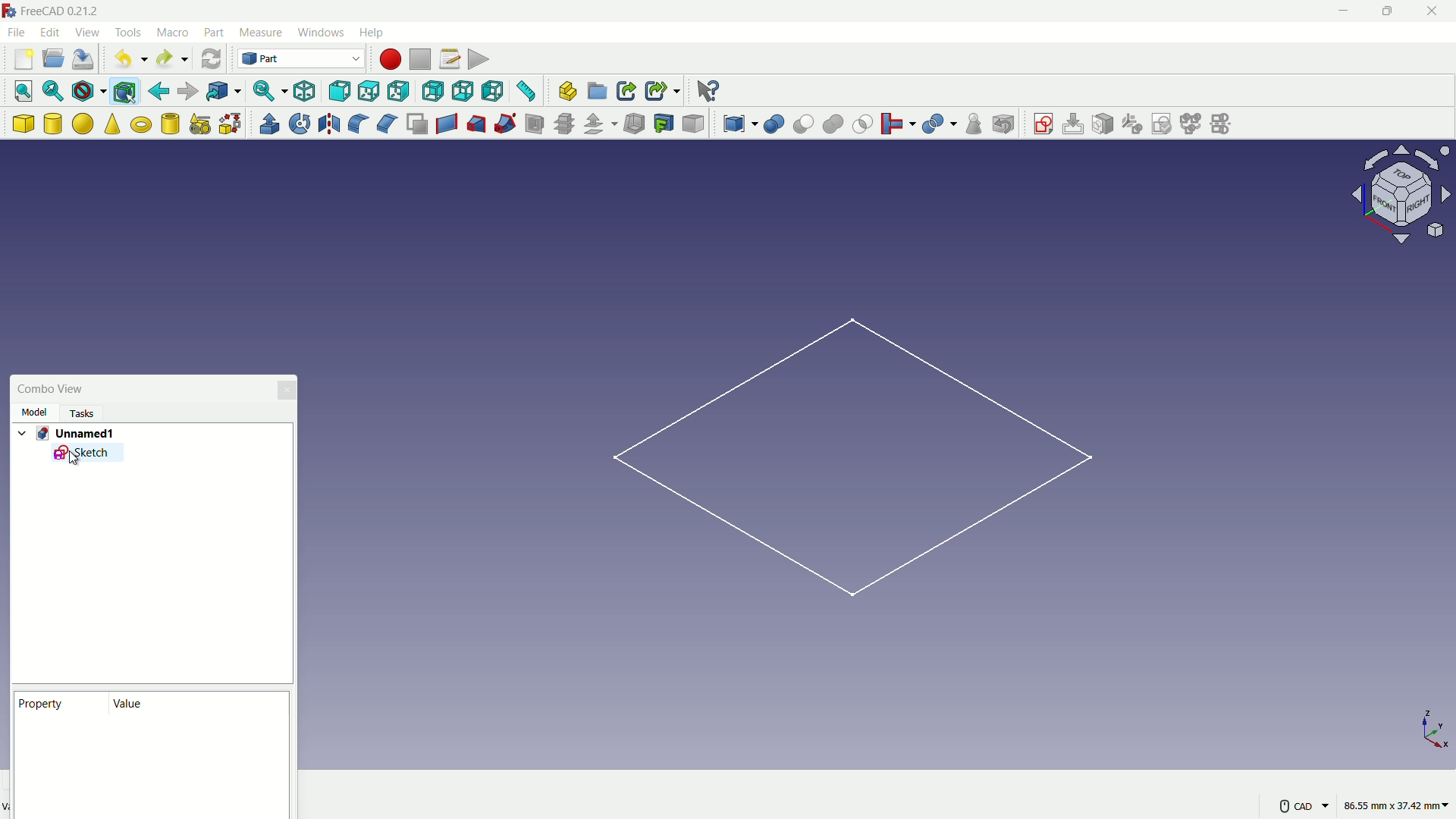 The height and width of the screenshot is (819, 1456). What do you see at coordinates (834, 125) in the screenshot?
I see `union` at bounding box center [834, 125].